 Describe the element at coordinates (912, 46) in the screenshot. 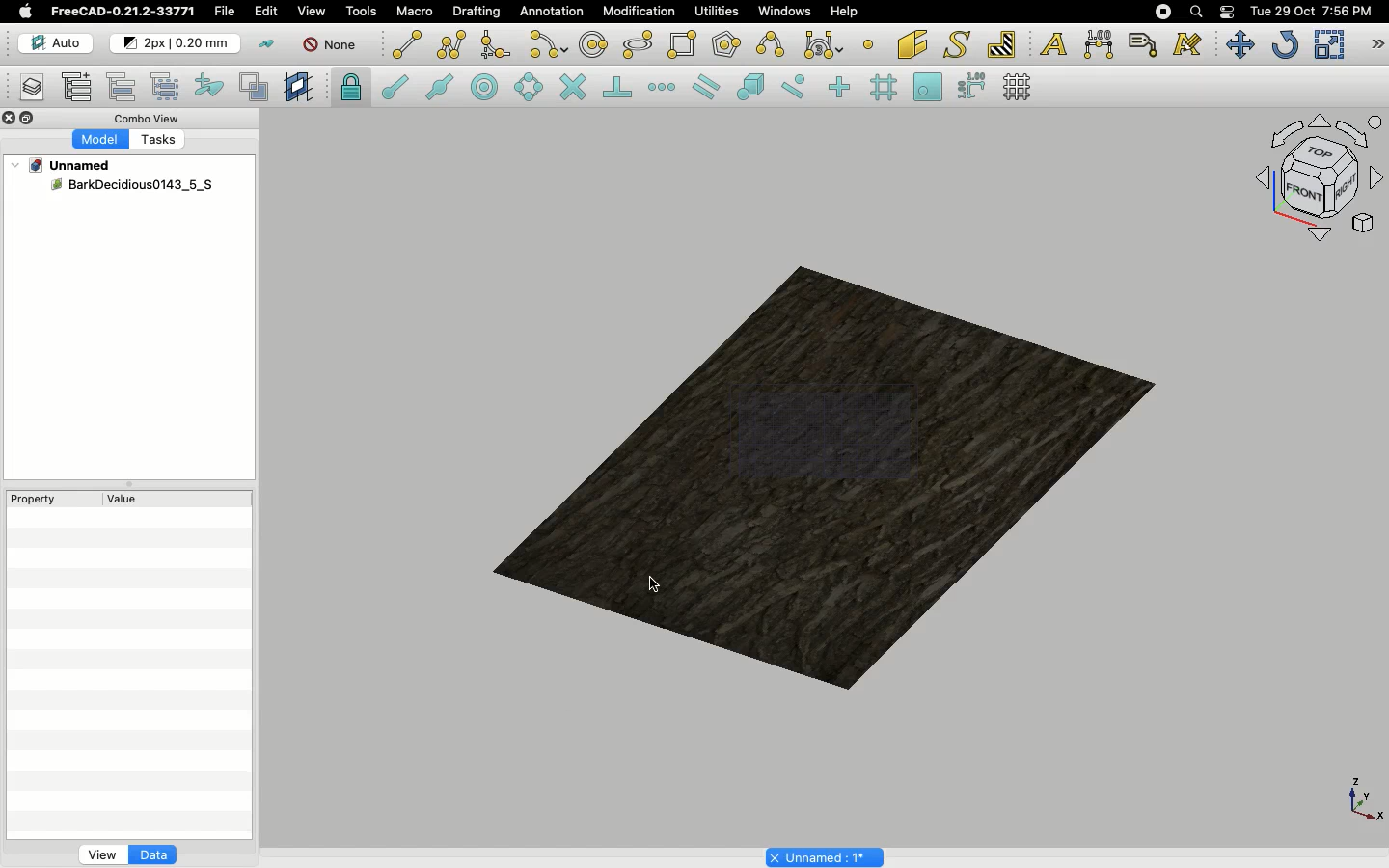

I see `Facebinder` at that location.